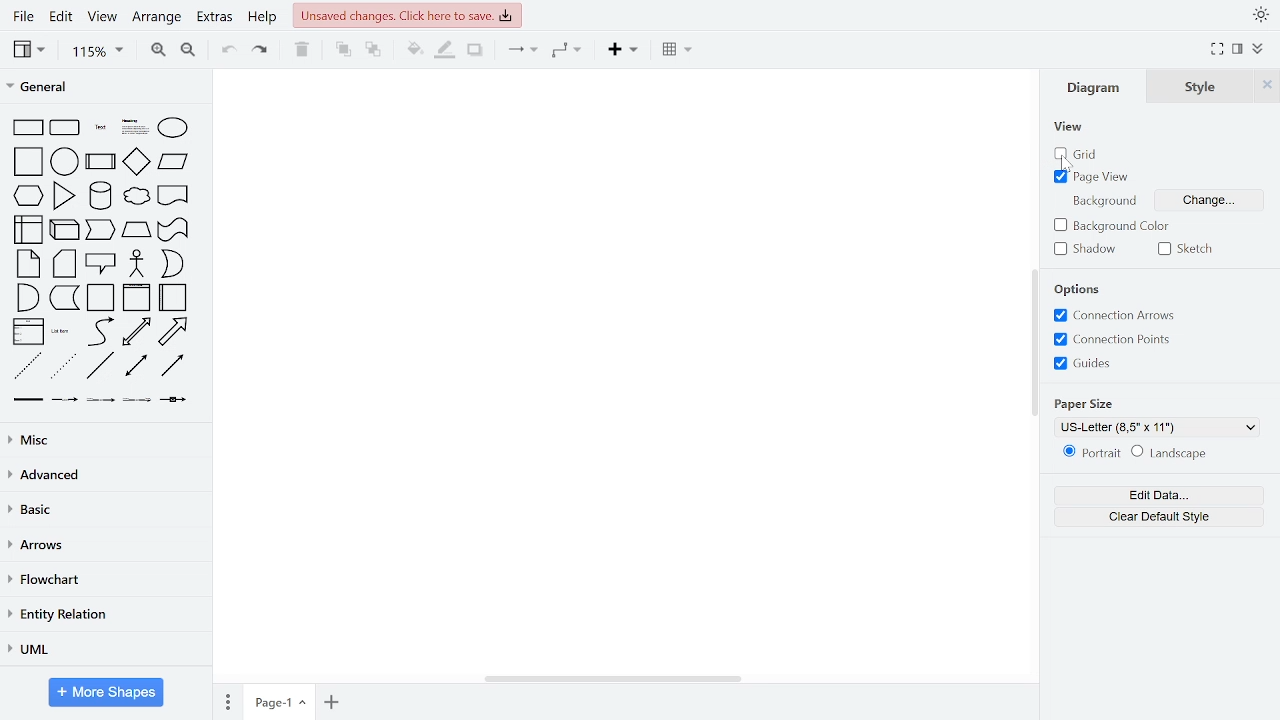 Image resolution: width=1280 pixels, height=720 pixels. Describe the element at coordinates (102, 298) in the screenshot. I see `container` at that location.